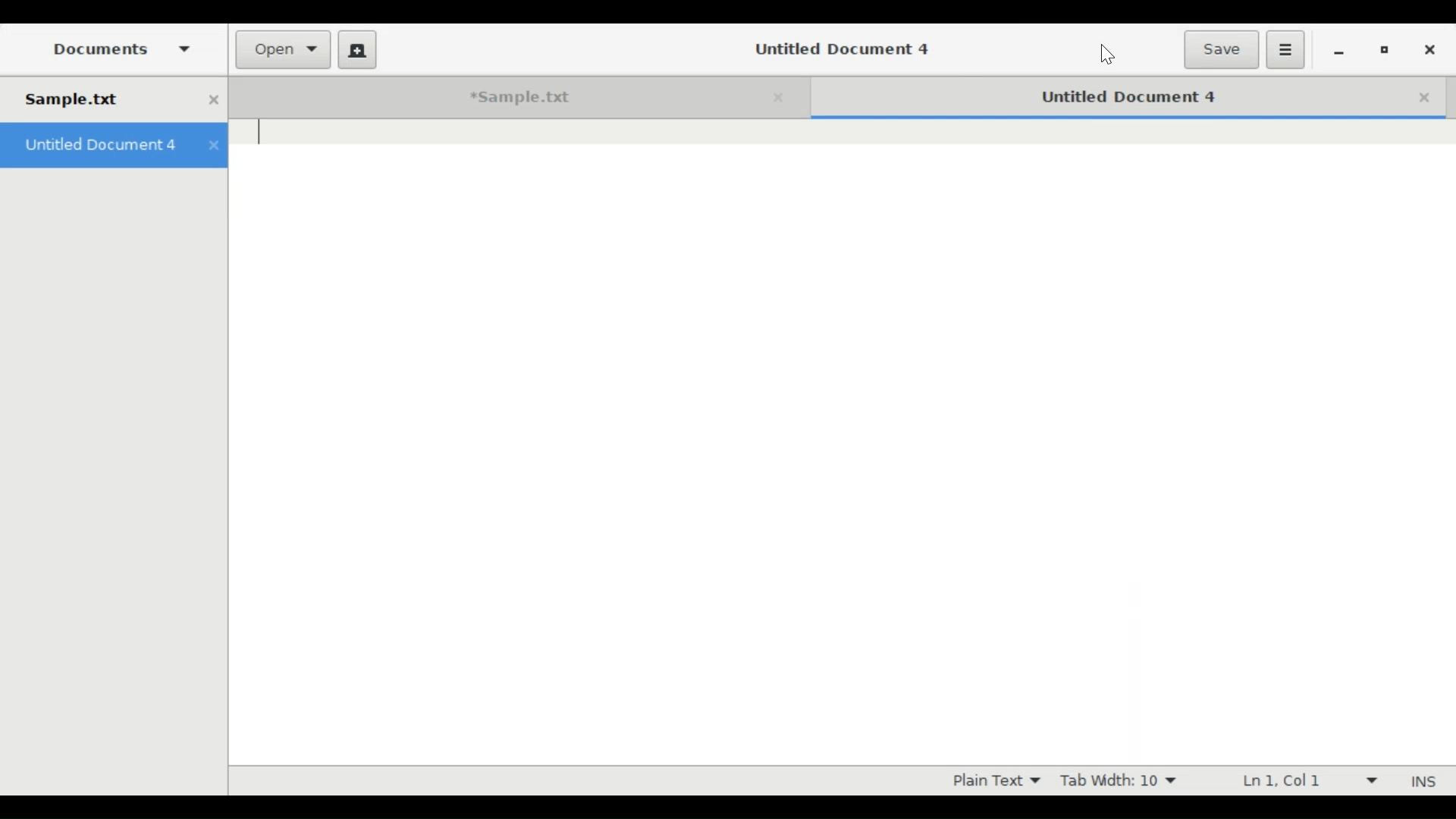  I want to click on text cursor, so click(260, 133).